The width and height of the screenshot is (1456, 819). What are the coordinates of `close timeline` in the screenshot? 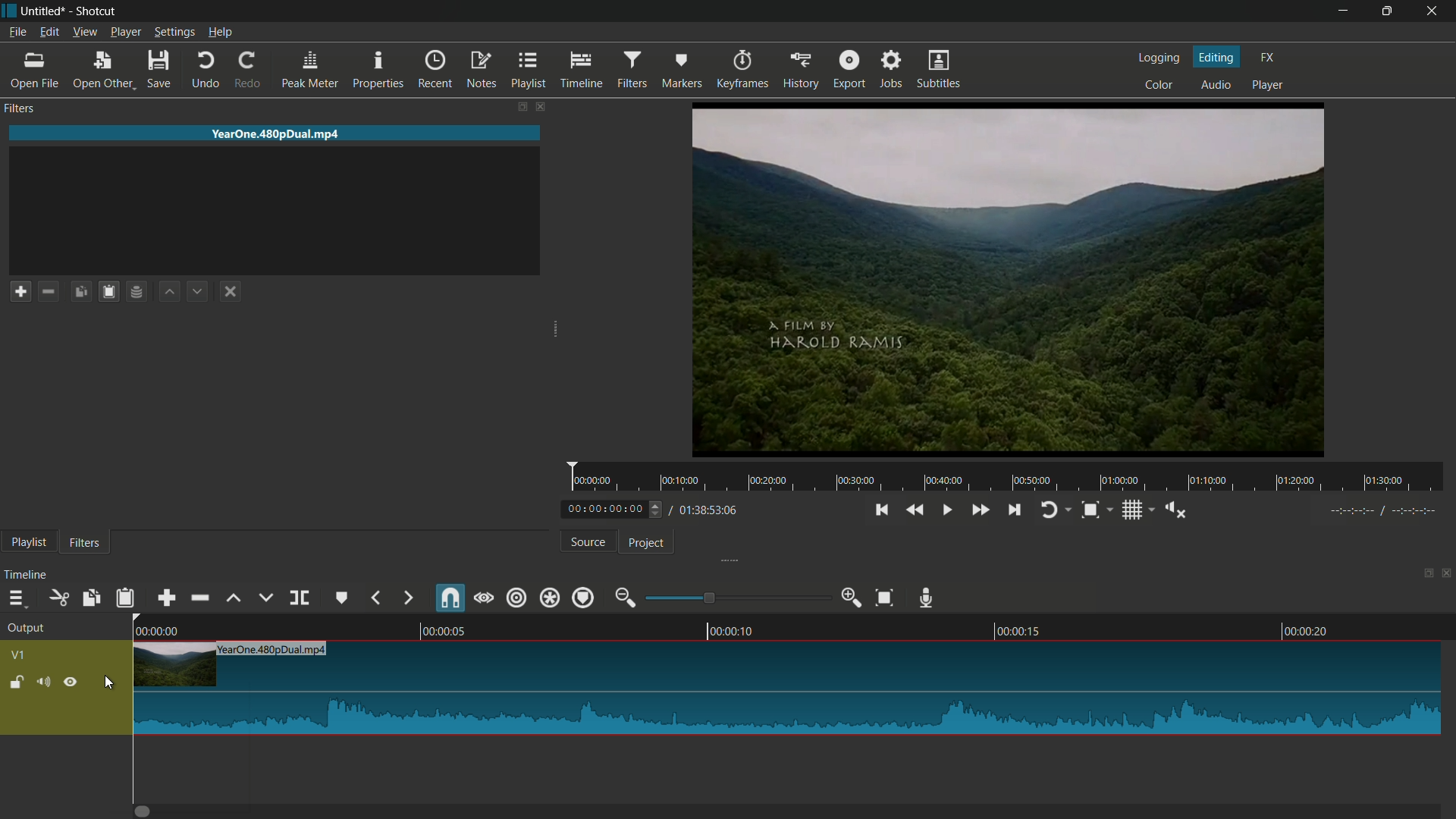 It's located at (1447, 576).